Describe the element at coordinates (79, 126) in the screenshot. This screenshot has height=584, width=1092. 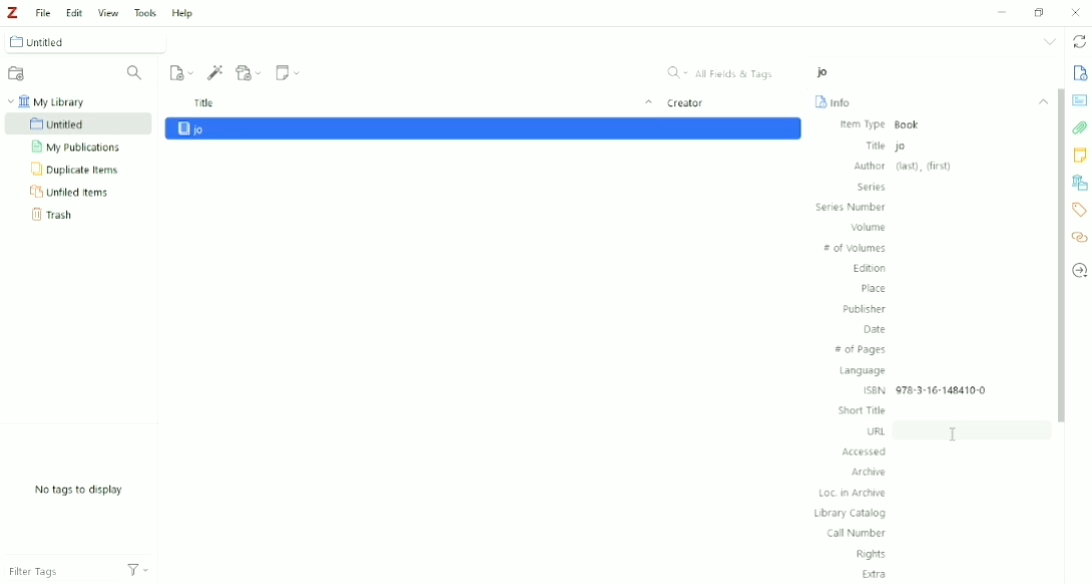
I see `Untitled` at that location.